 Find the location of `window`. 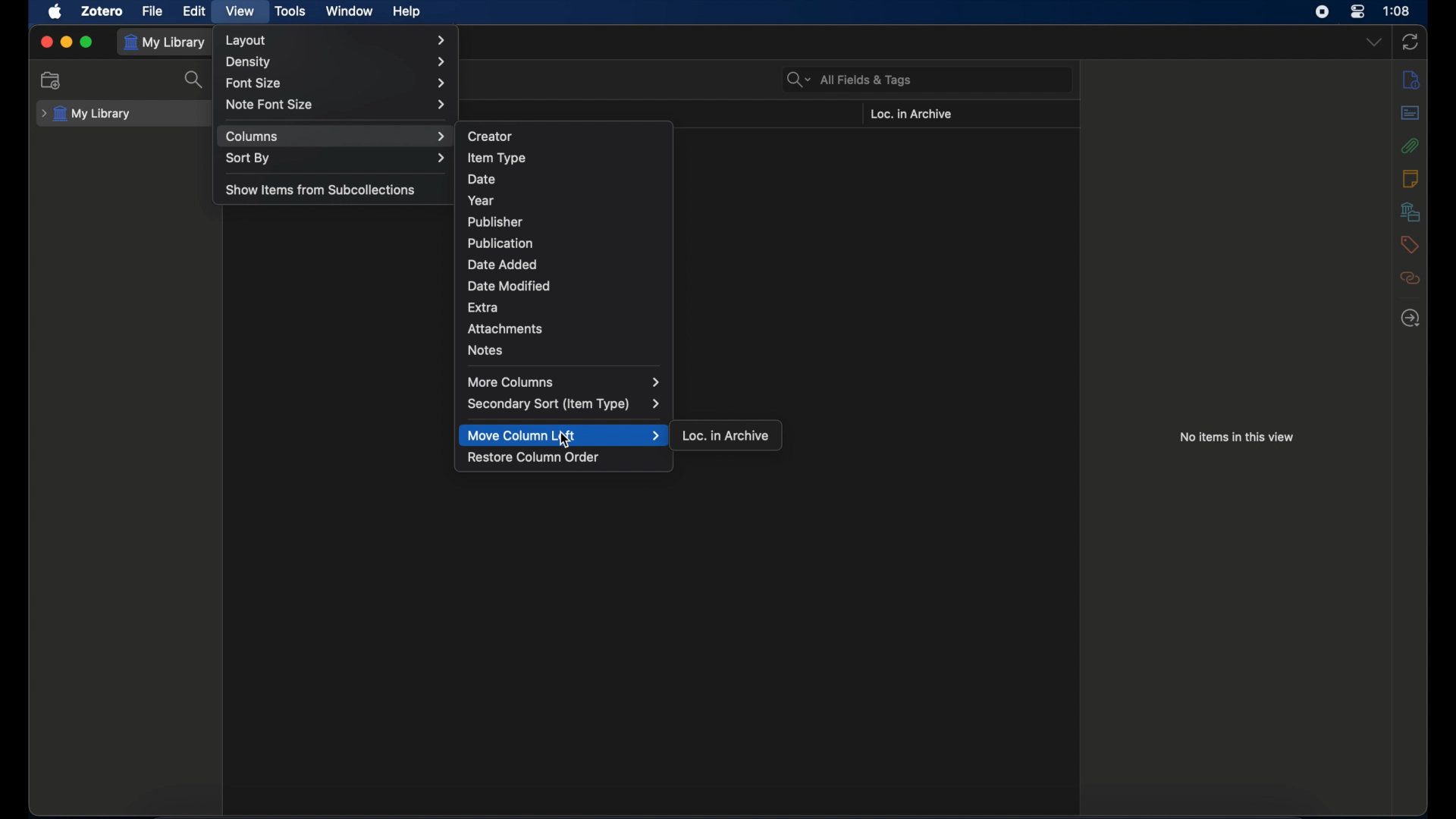

window is located at coordinates (351, 11).